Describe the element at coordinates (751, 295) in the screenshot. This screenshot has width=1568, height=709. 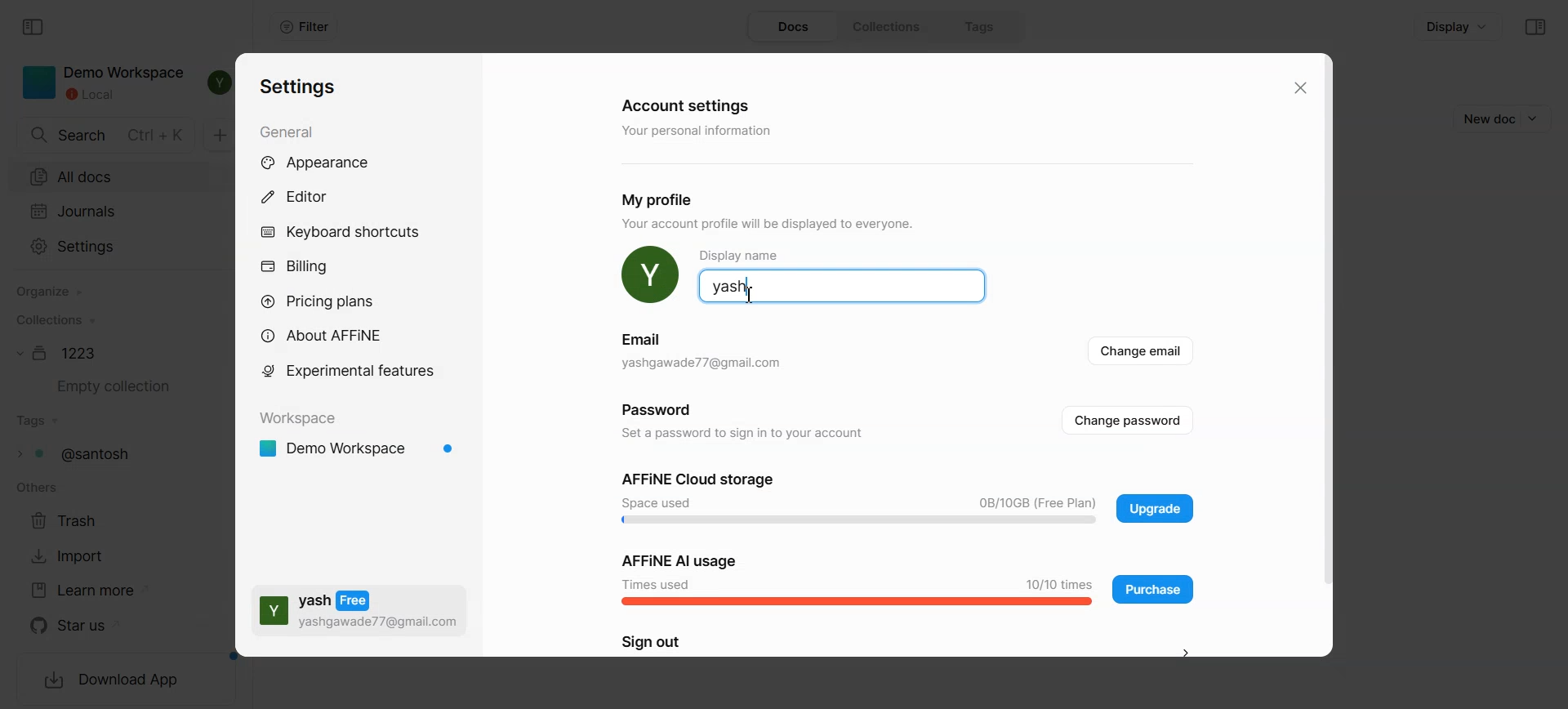
I see `Text cursor` at that location.